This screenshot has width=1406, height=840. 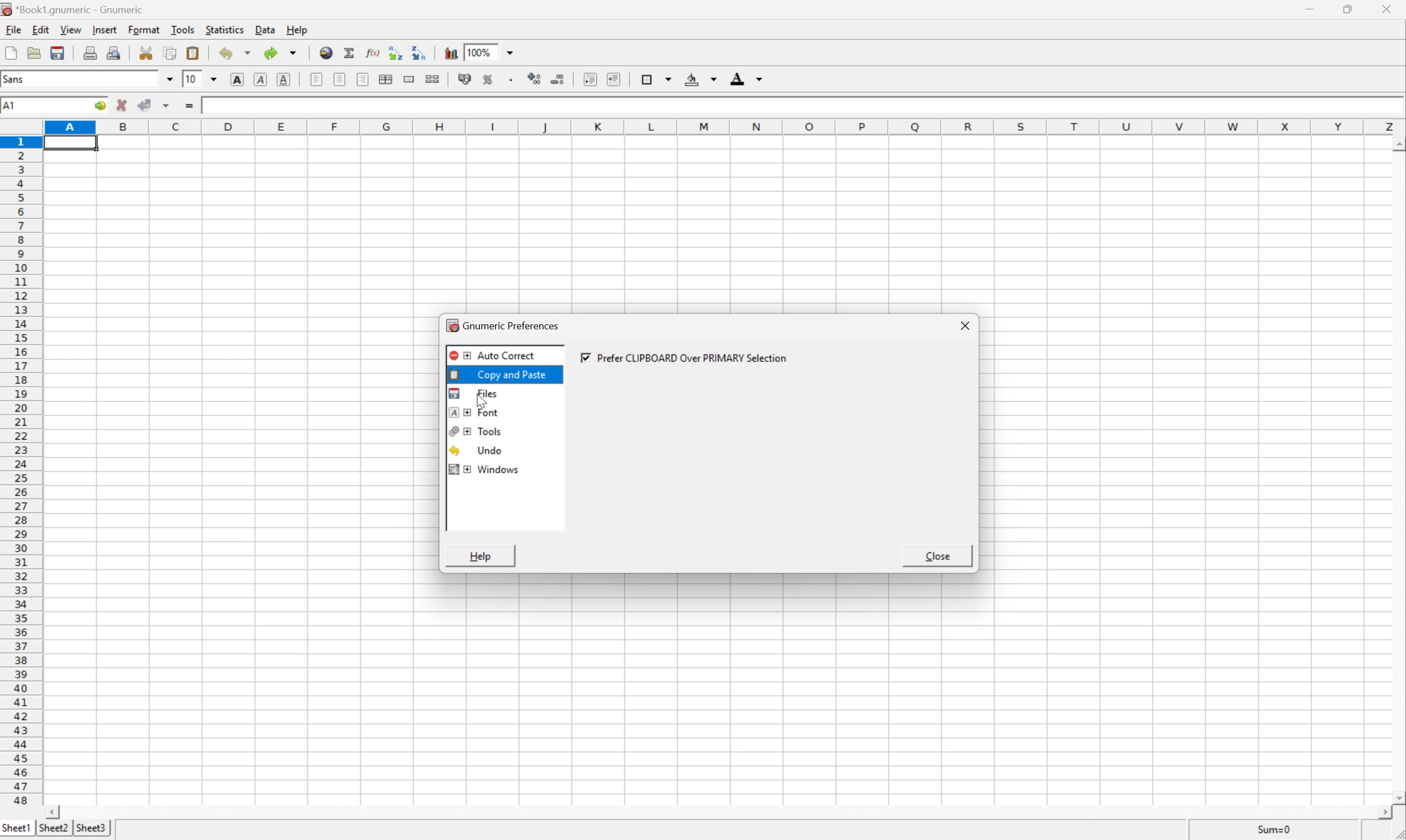 What do you see at coordinates (937, 558) in the screenshot?
I see `close` at bounding box center [937, 558].